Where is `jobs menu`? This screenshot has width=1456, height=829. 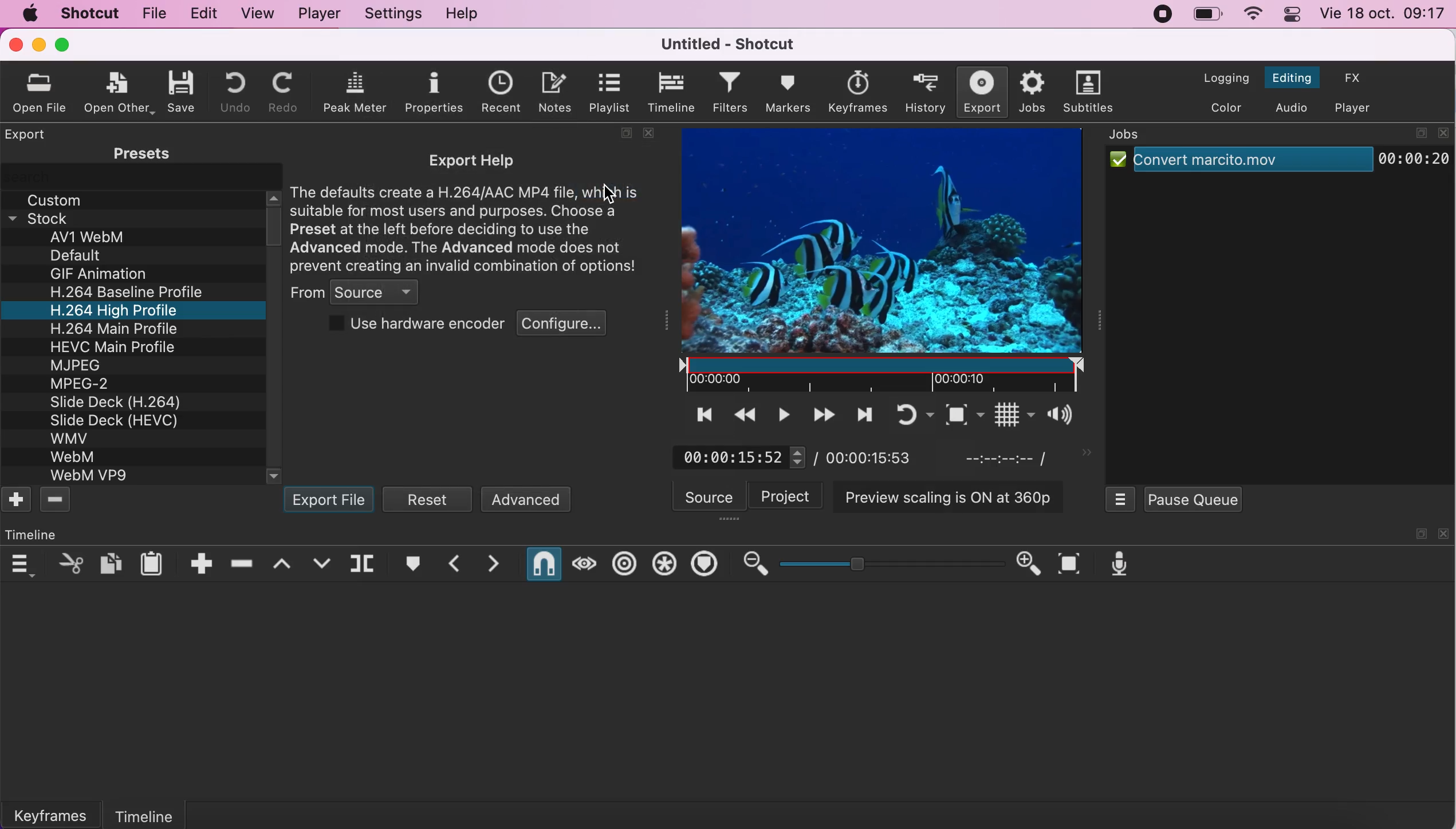
jobs menu is located at coordinates (1121, 498).